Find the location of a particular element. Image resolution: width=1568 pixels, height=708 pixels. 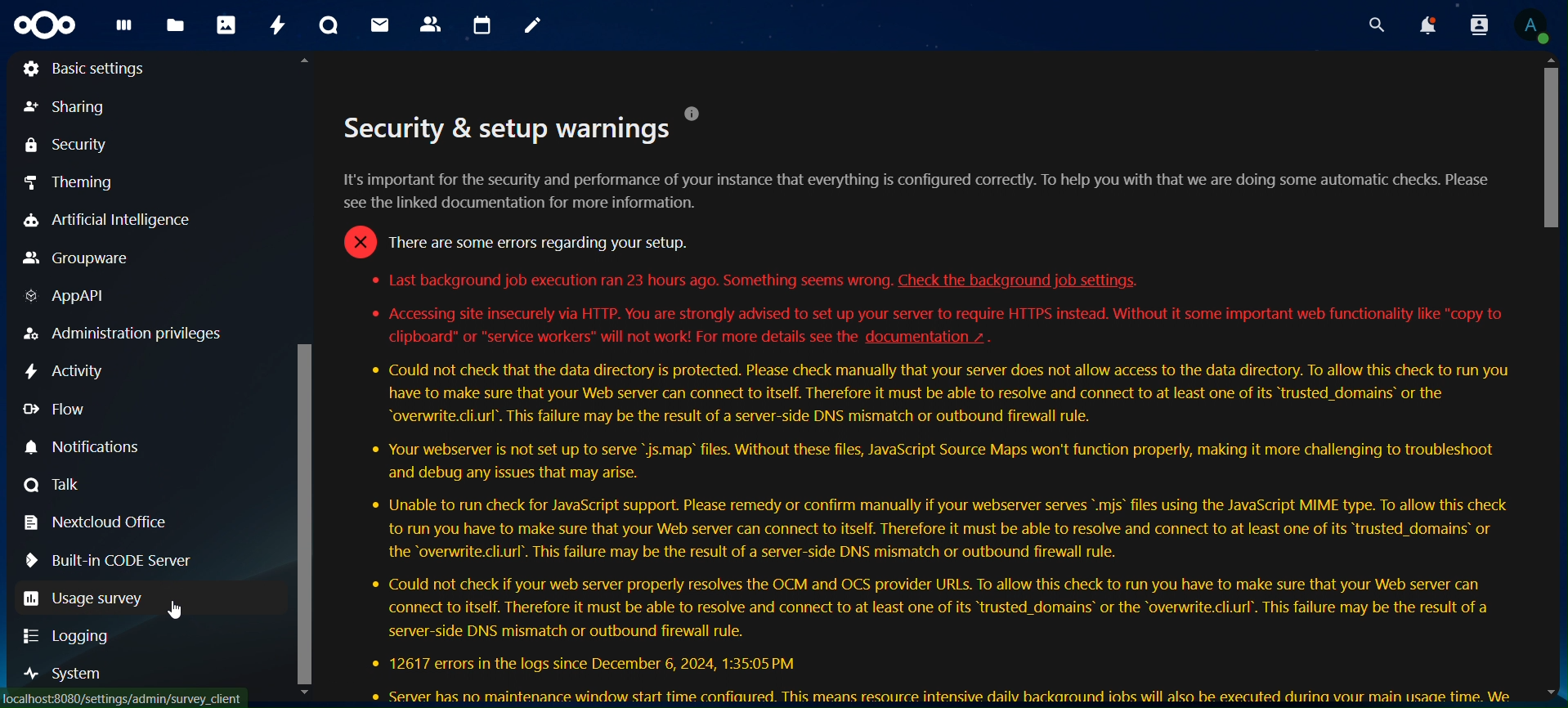

Scrollbar is located at coordinates (1547, 379).